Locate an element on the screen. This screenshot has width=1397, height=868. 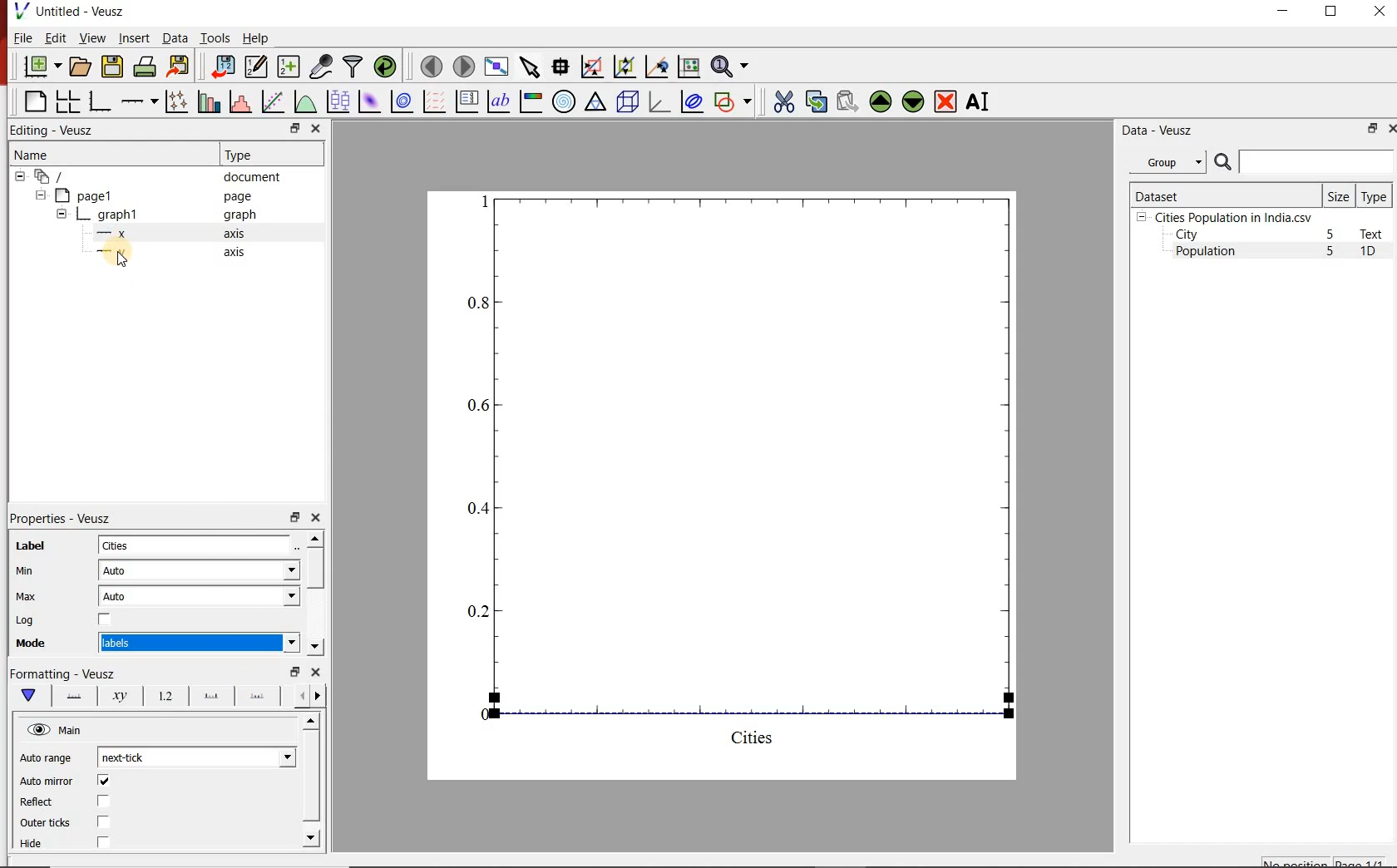
Text is located at coordinates (1375, 234).